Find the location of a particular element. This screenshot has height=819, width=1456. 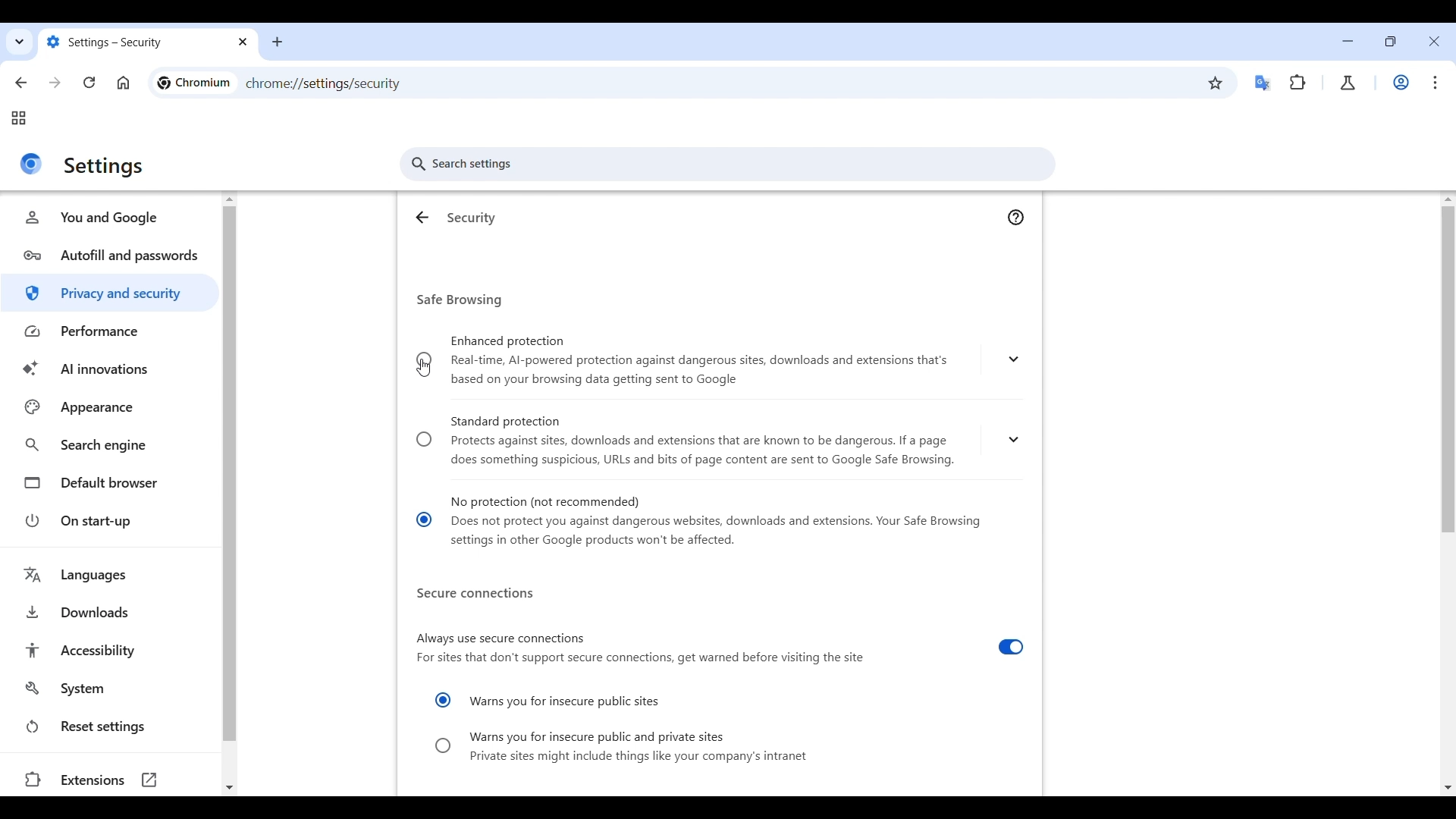

Expand to see description of Standard protection is located at coordinates (1013, 440).